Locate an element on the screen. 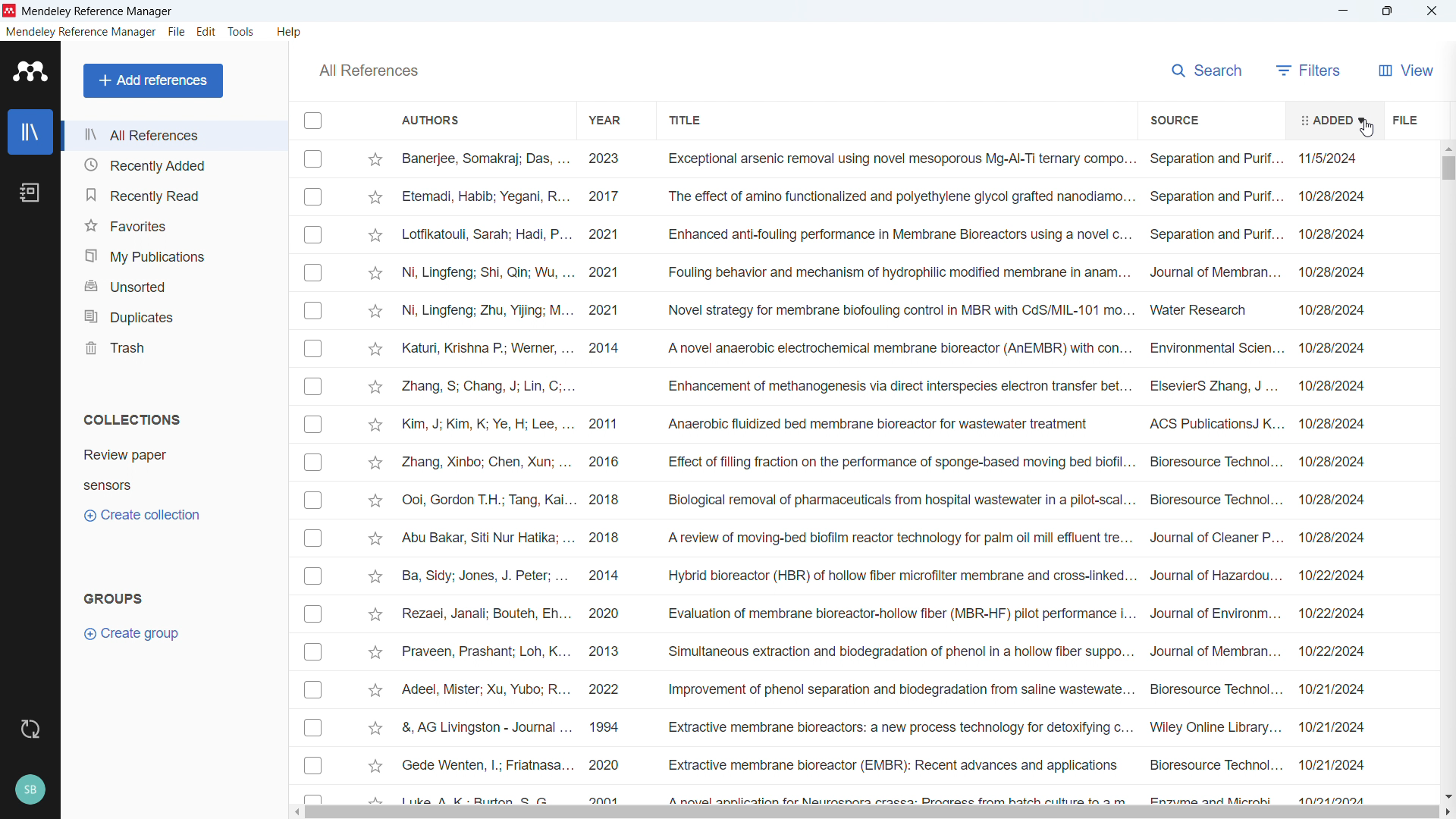 This screenshot has width=1456, height=819. edit is located at coordinates (206, 32).